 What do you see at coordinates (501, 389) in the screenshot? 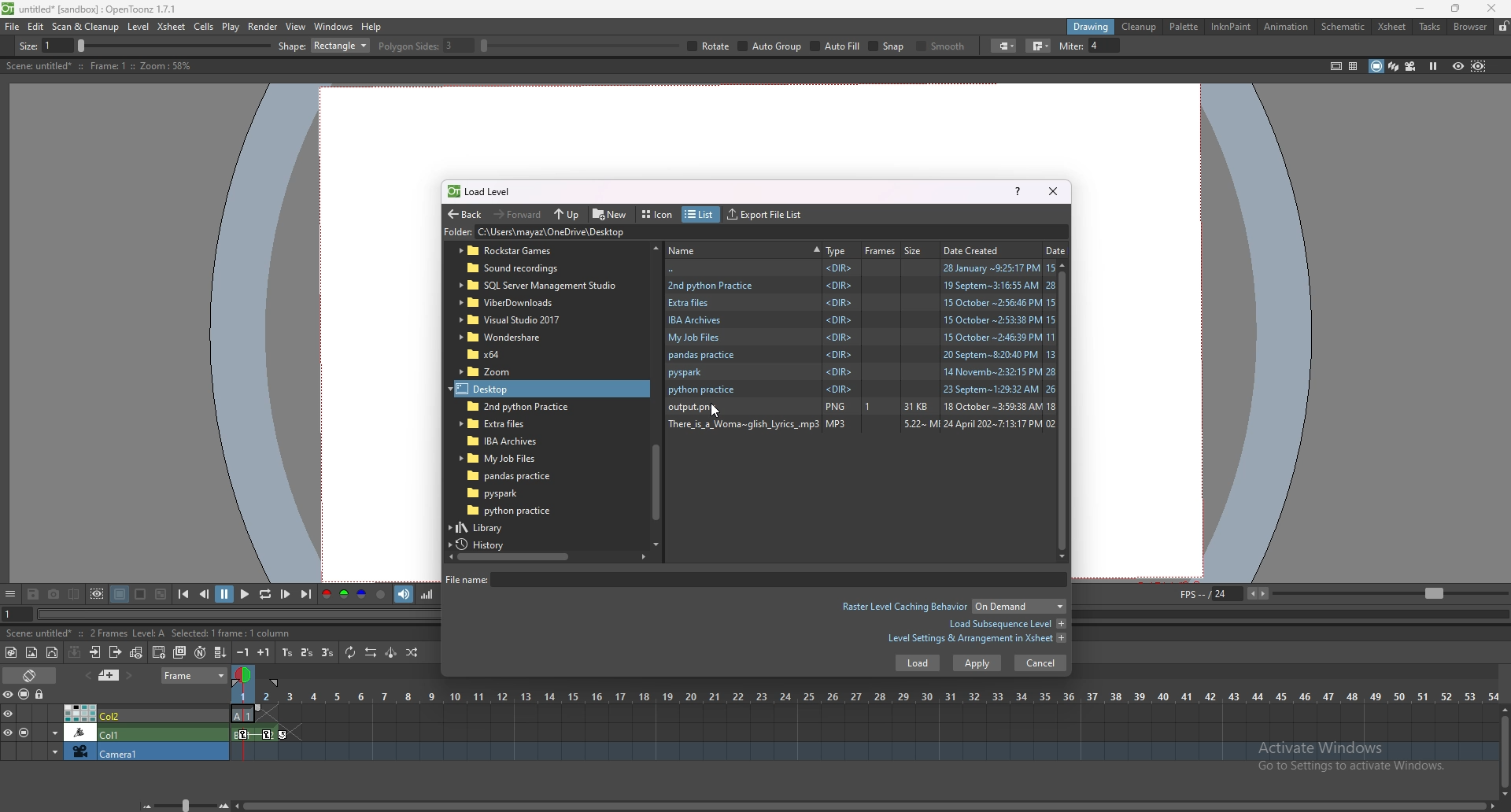
I see `folder` at bounding box center [501, 389].